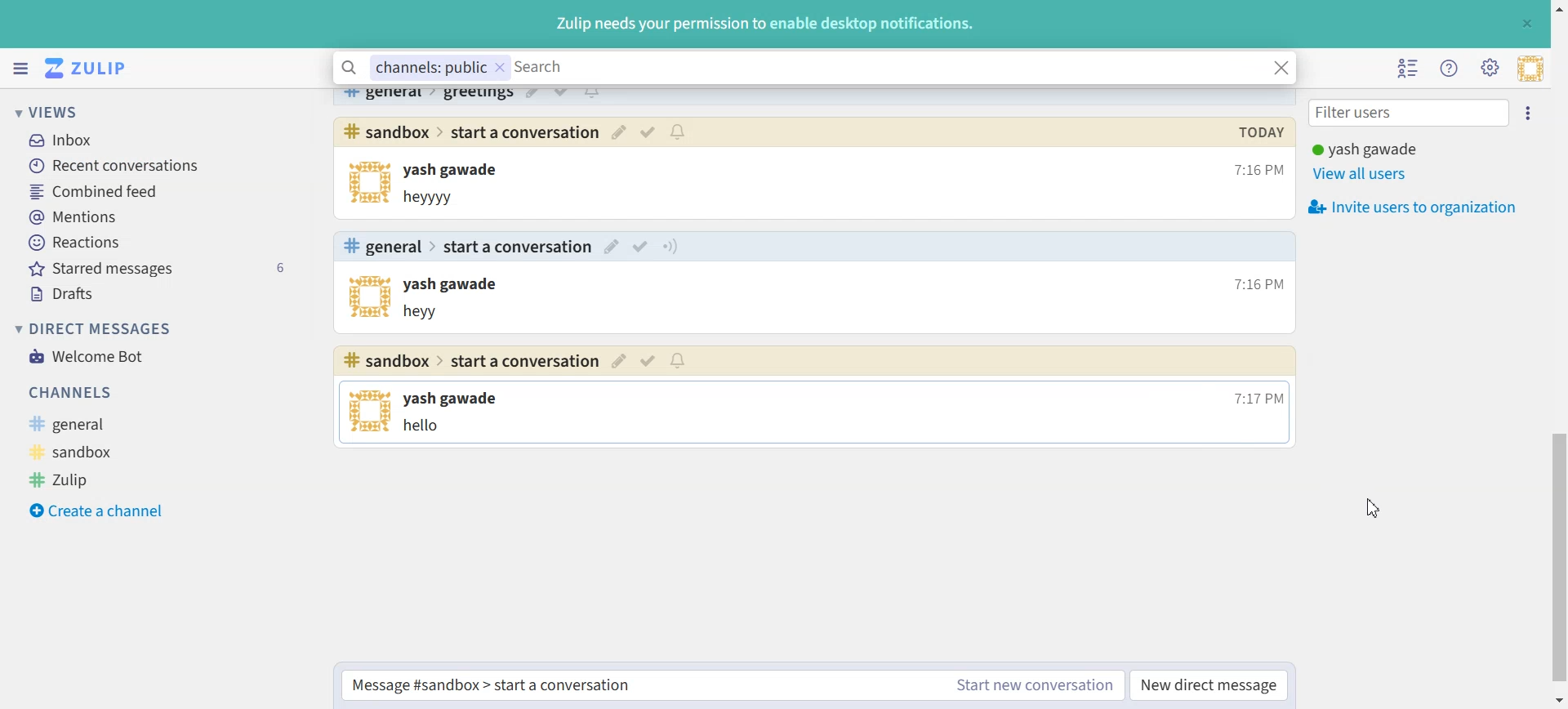 This screenshot has height=709, width=1568. I want to click on general, so click(385, 96).